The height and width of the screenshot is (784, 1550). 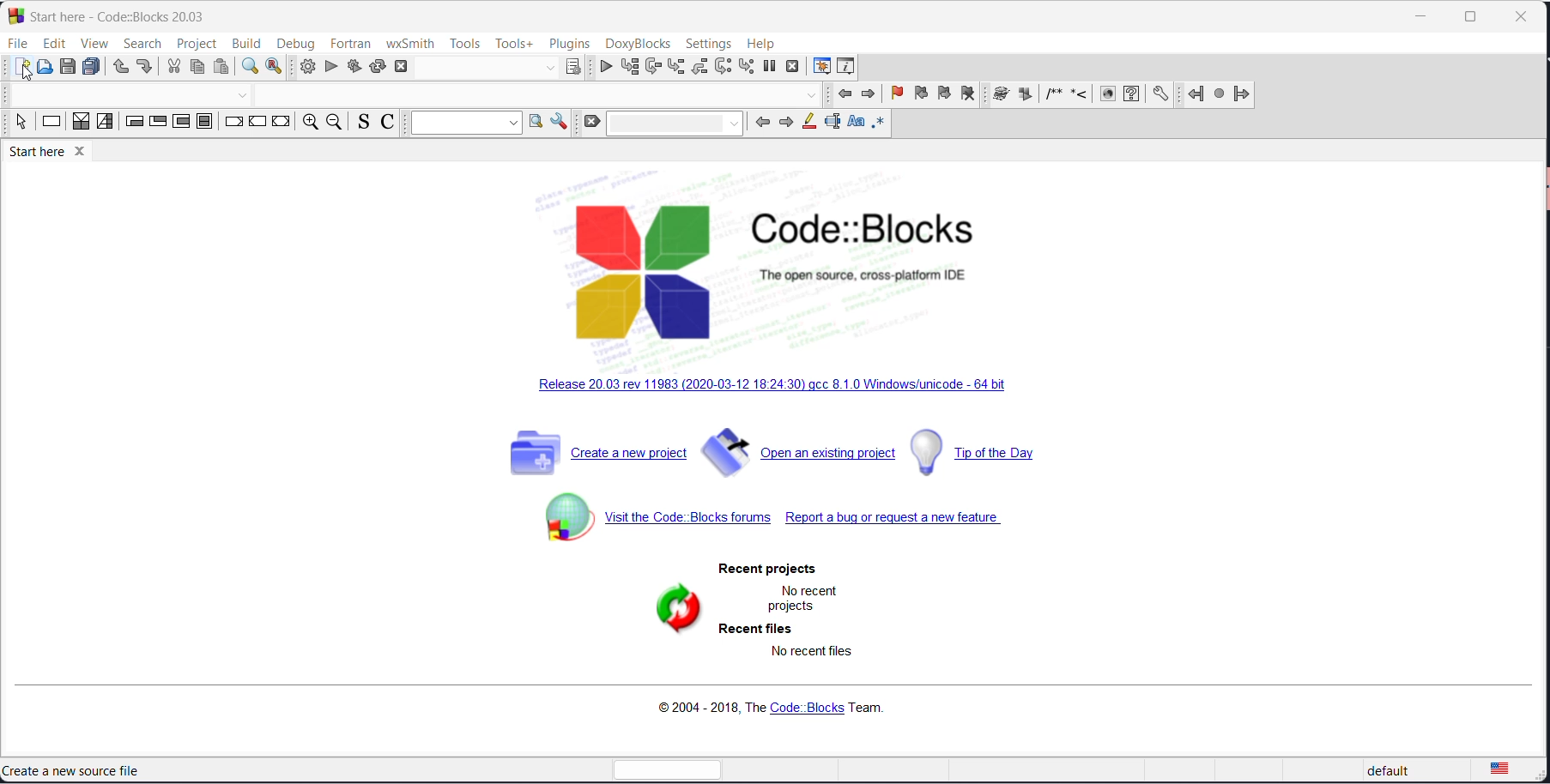 What do you see at coordinates (919, 95) in the screenshot?
I see `previous bookmark` at bounding box center [919, 95].